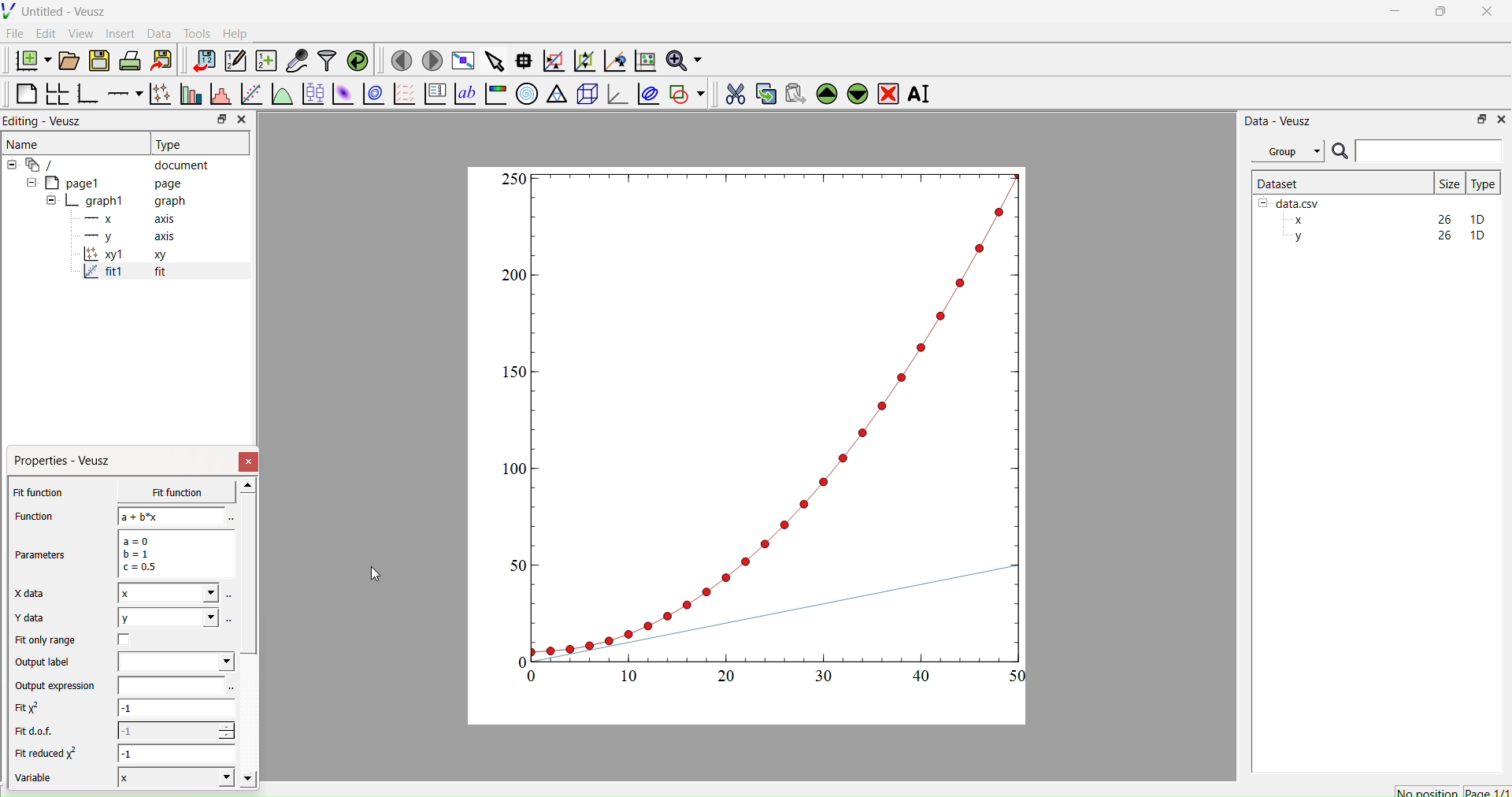 This screenshot has height=797, width=1512. Describe the element at coordinates (313, 94) in the screenshot. I see `Plot box plots` at that location.